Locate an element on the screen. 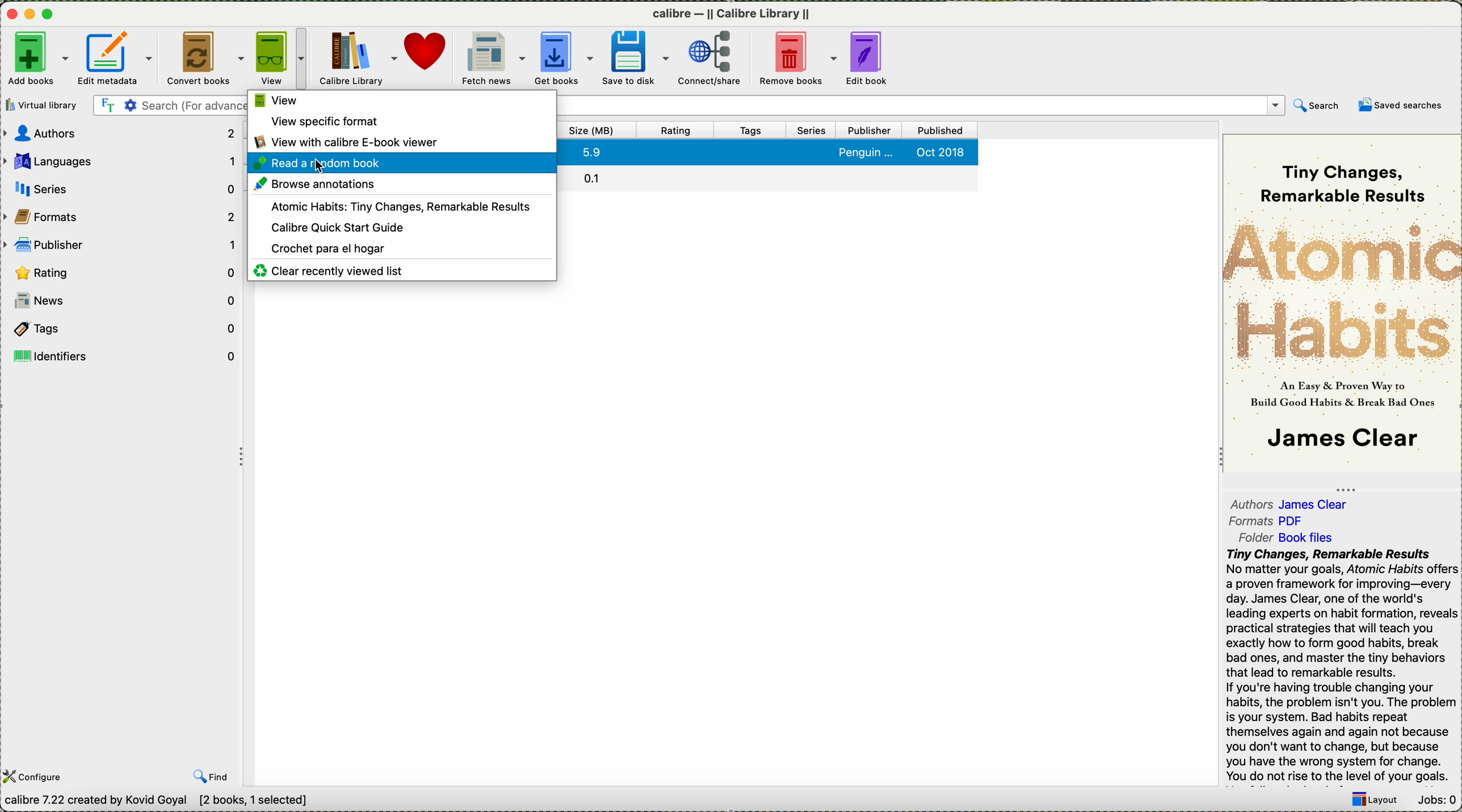 The image size is (1462, 812). fetch news is located at coordinates (491, 58).